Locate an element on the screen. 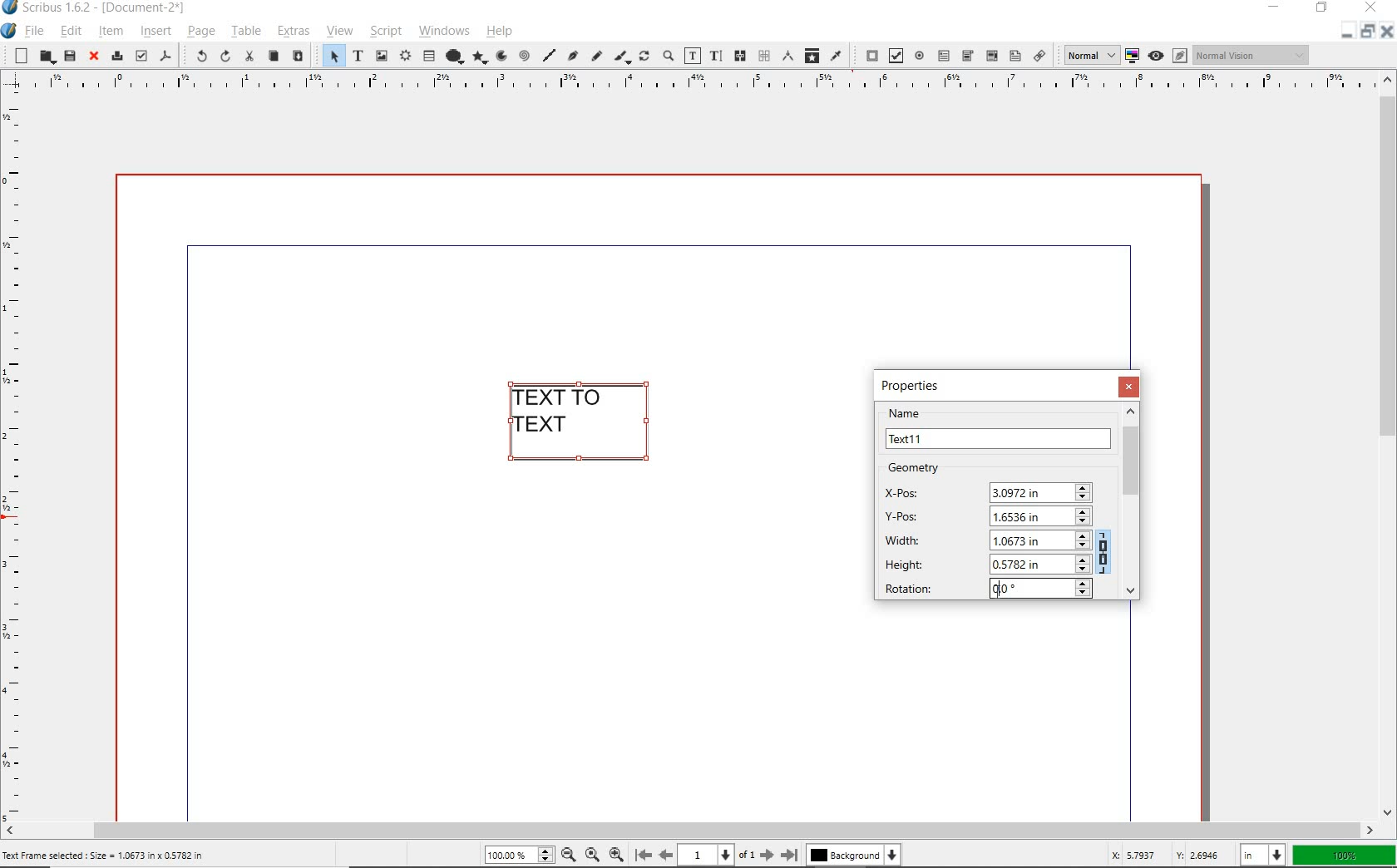  zoom level is located at coordinates (522, 856).